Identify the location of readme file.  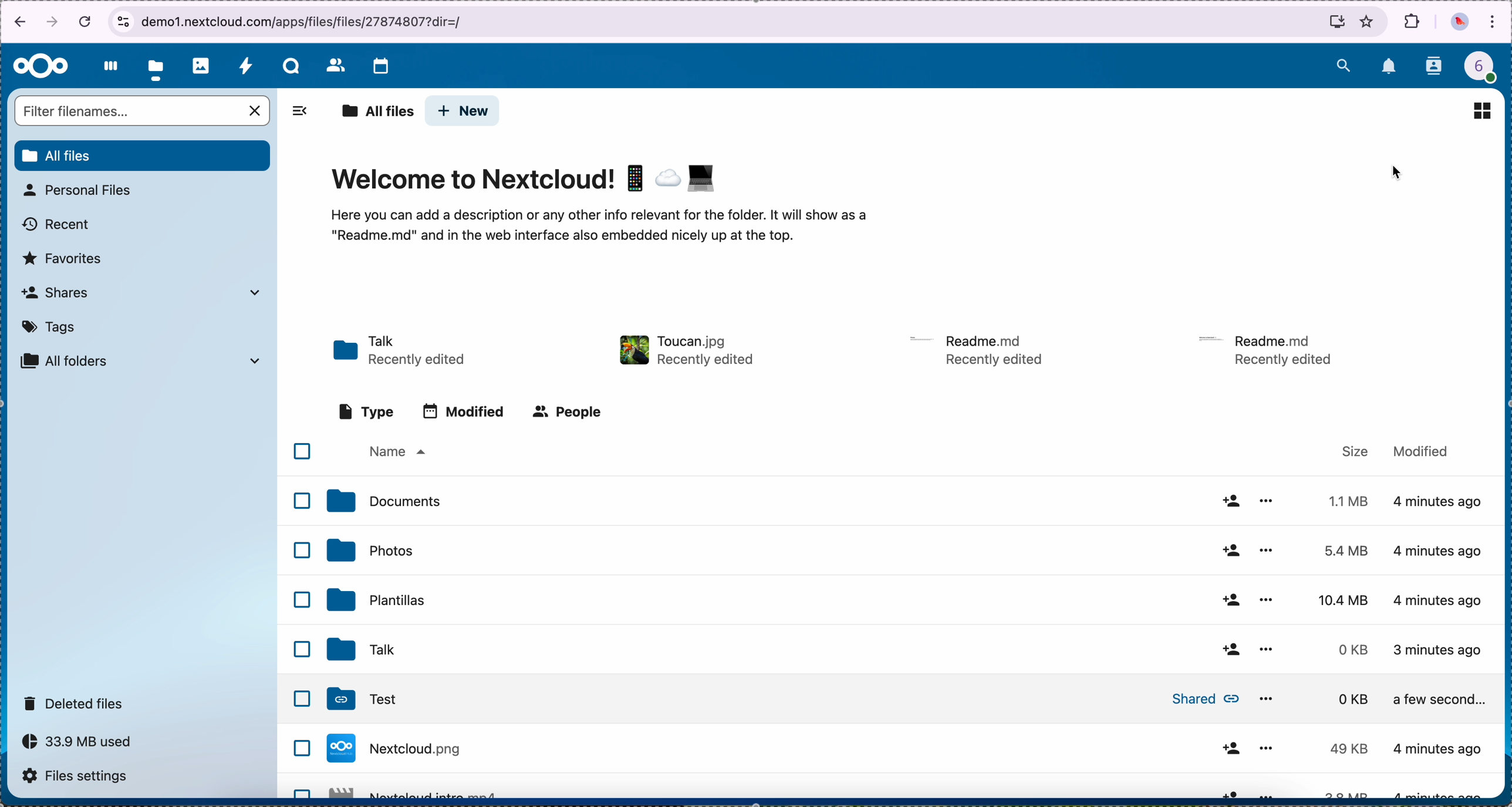
(979, 349).